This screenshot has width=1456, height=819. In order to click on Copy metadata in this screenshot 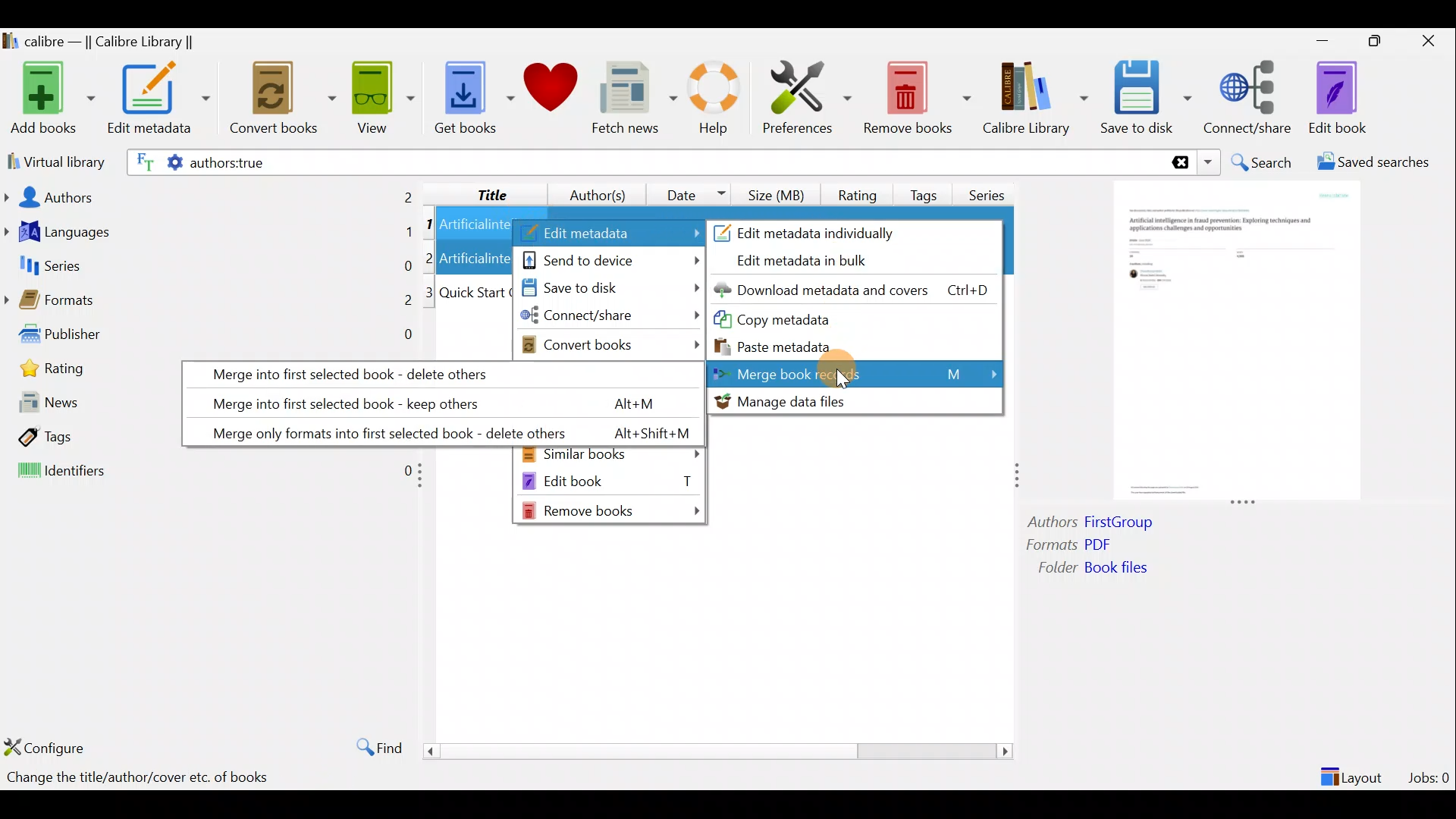, I will do `click(803, 318)`.